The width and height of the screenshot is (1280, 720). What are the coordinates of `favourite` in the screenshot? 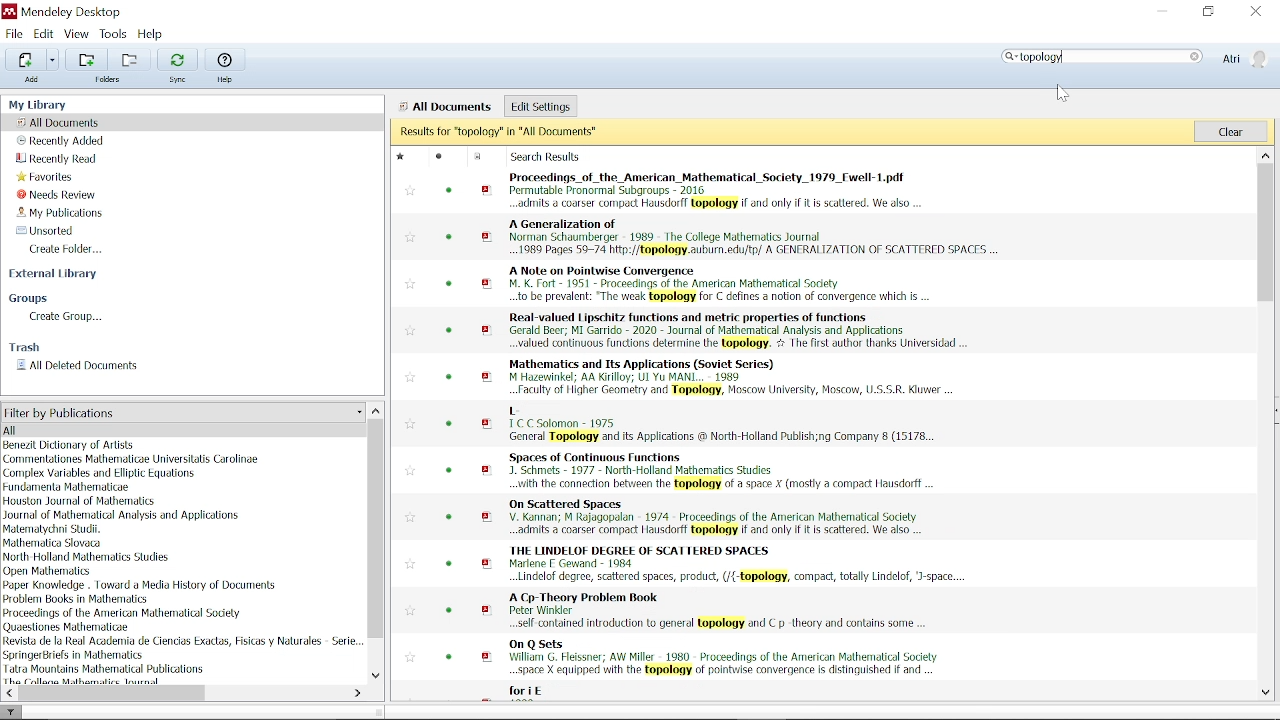 It's located at (400, 157).